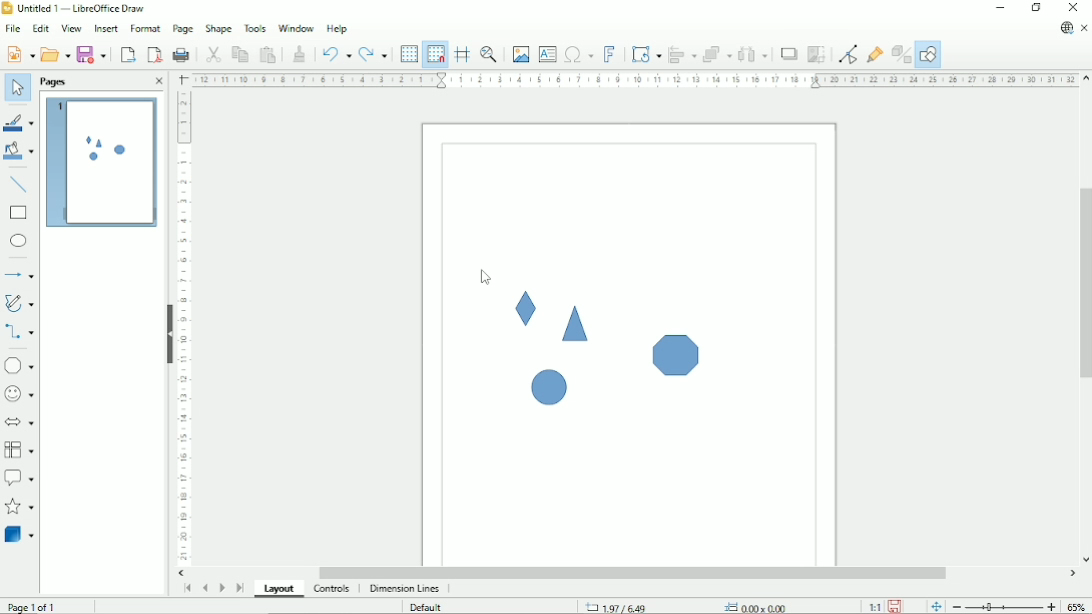 The height and width of the screenshot is (614, 1092). I want to click on Ellipse, so click(19, 241).